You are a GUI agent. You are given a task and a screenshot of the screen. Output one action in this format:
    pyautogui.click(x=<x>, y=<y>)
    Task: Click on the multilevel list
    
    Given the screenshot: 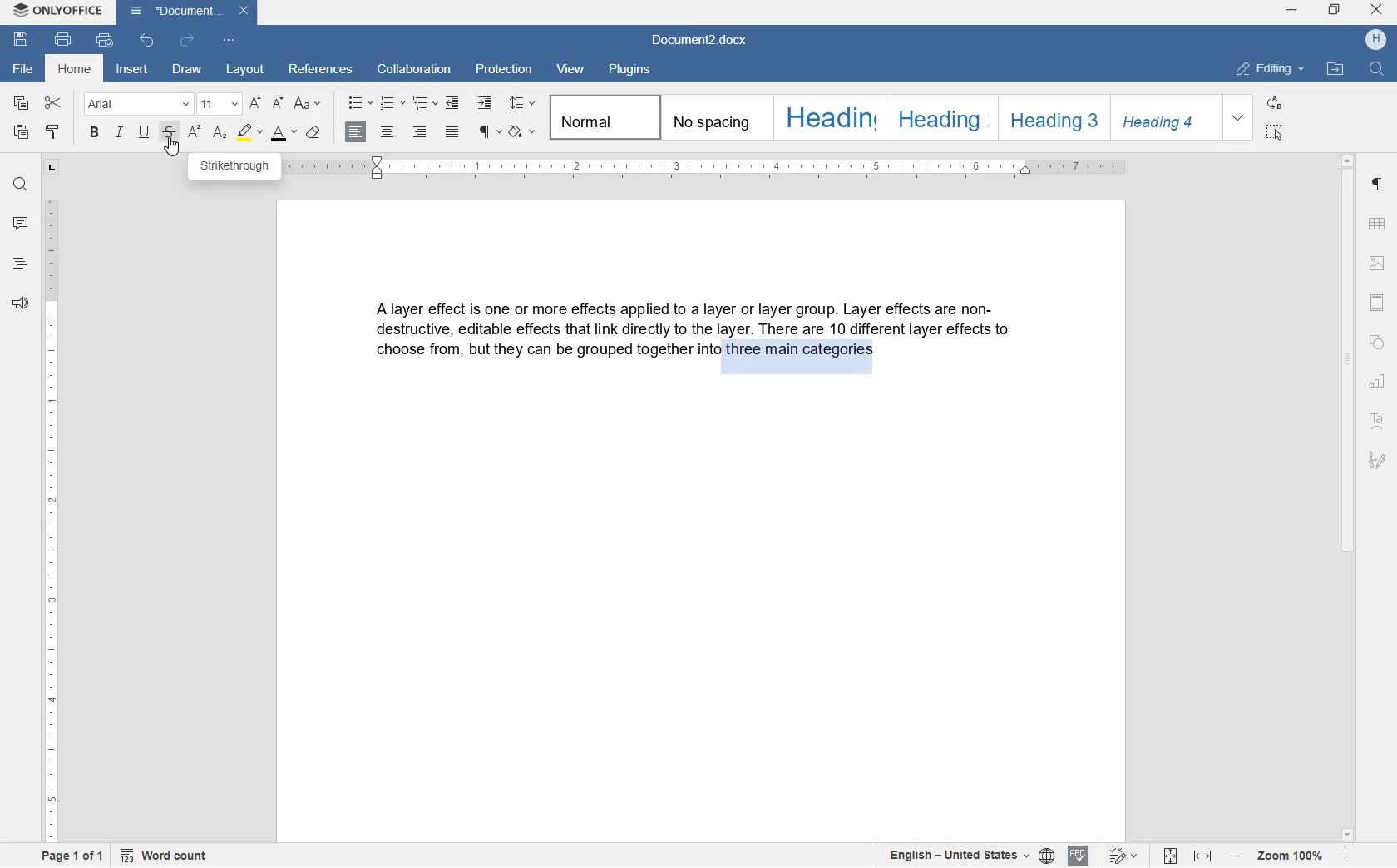 What is the action you would take?
    pyautogui.click(x=423, y=103)
    